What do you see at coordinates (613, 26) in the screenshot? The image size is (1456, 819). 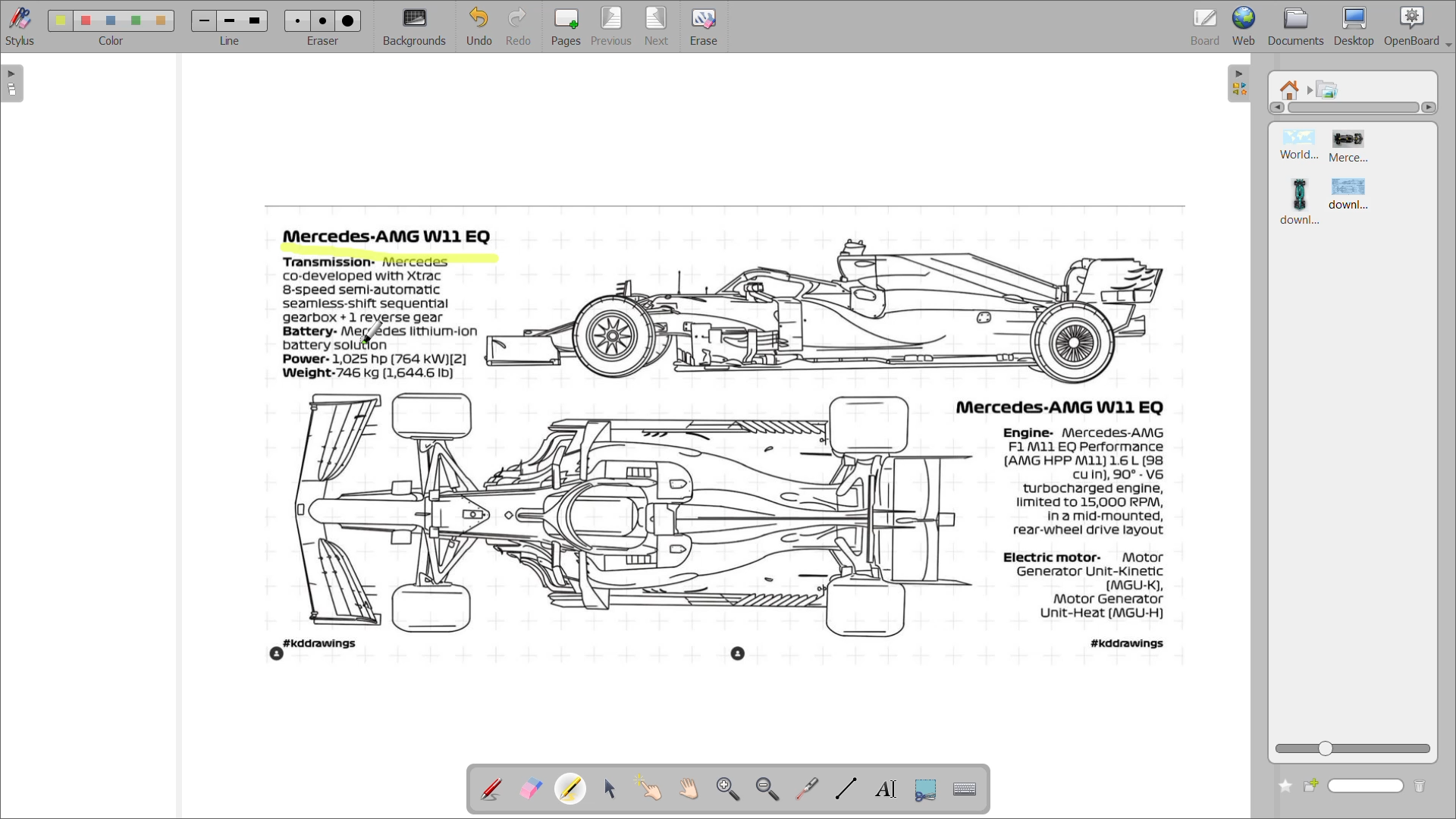 I see `previous` at bounding box center [613, 26].